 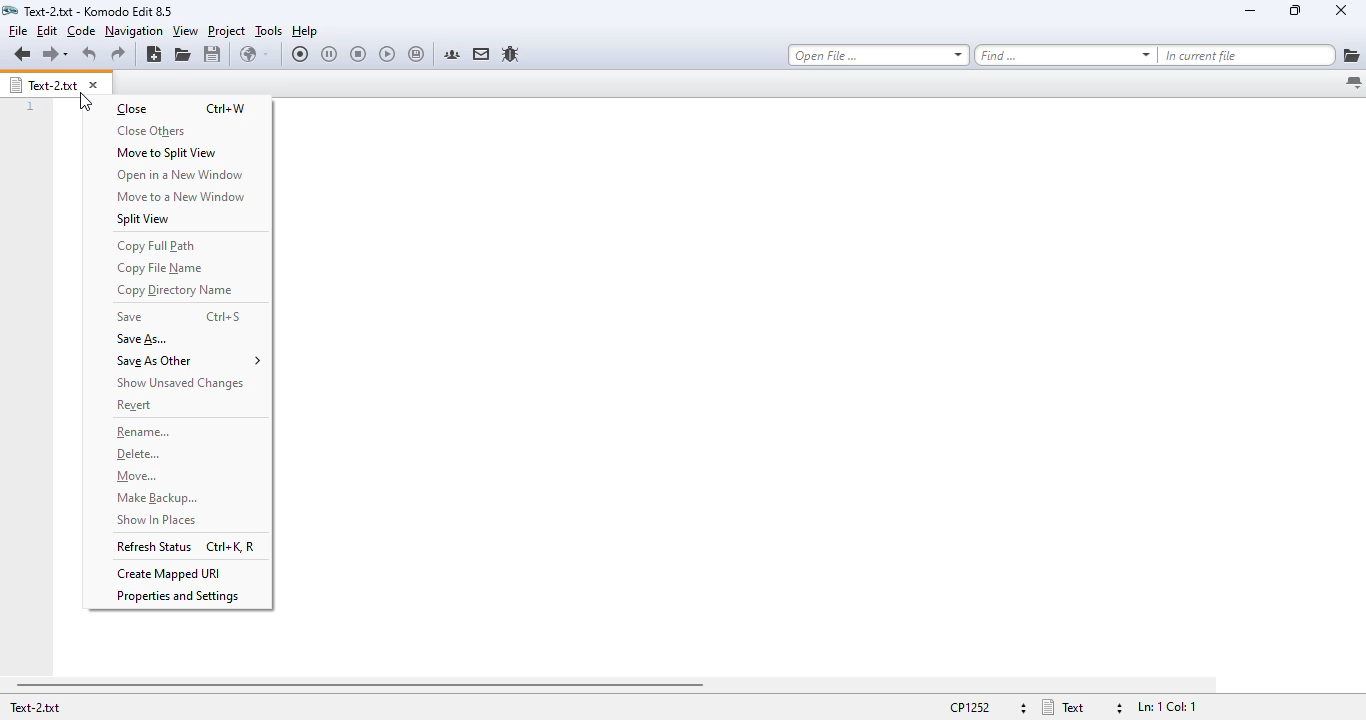 What do you see at coordinates (117, 54) in the screenshot?
I see `redo last action` at bounding box center [117, 54].